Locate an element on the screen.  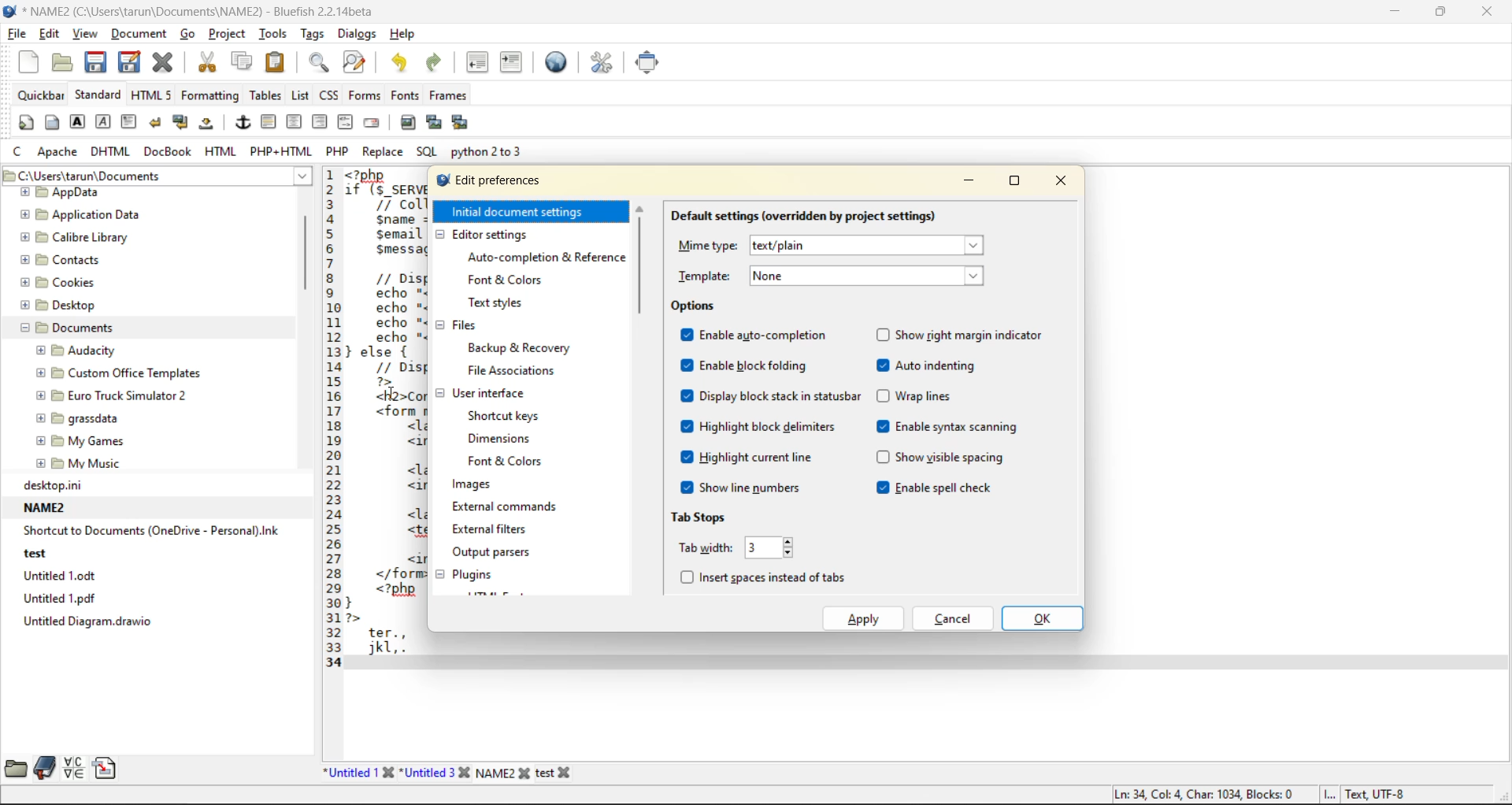
grassdata is located at coordinates (80, 417).